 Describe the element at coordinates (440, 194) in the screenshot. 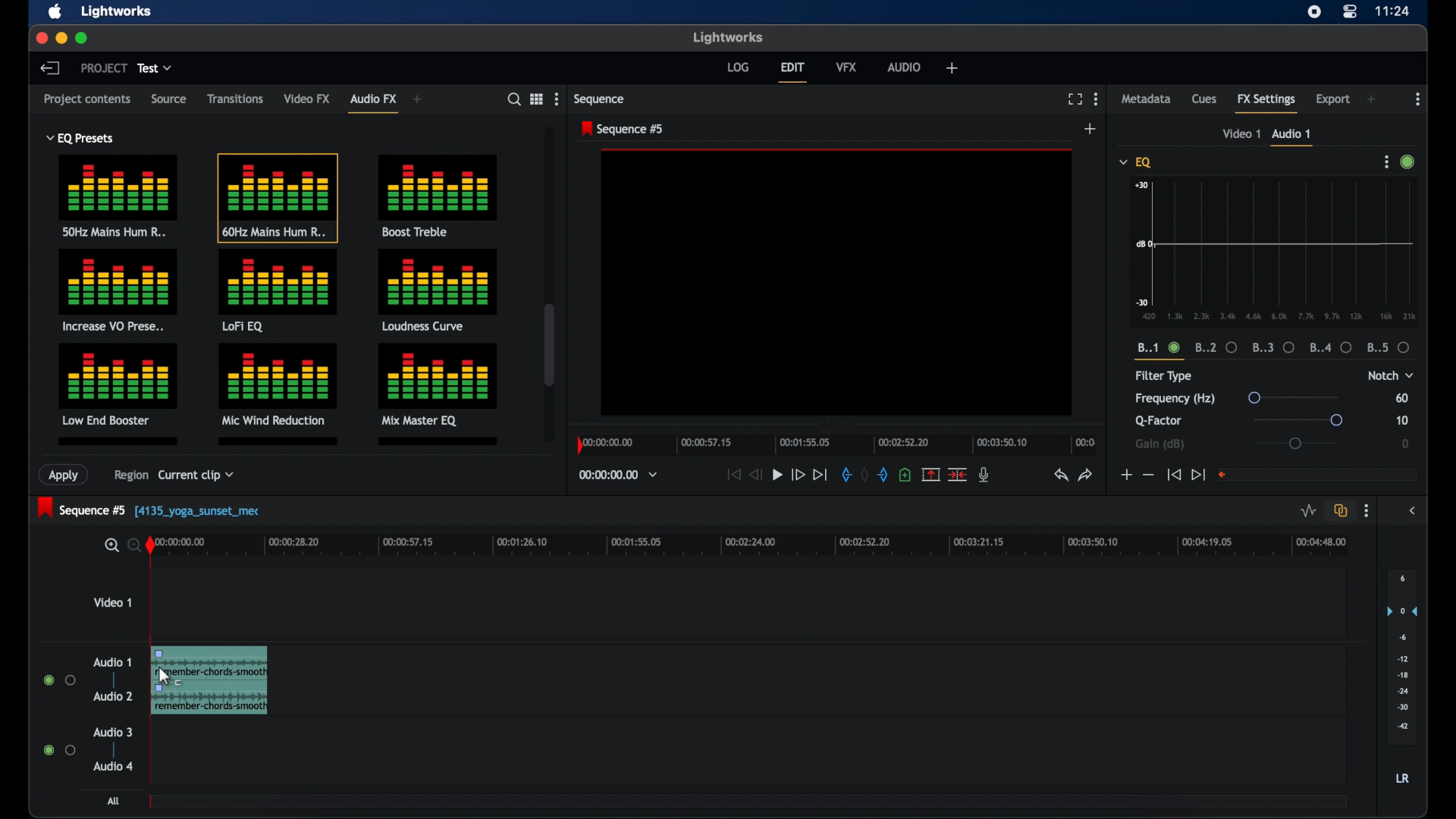

I see `boost treble` at that location.